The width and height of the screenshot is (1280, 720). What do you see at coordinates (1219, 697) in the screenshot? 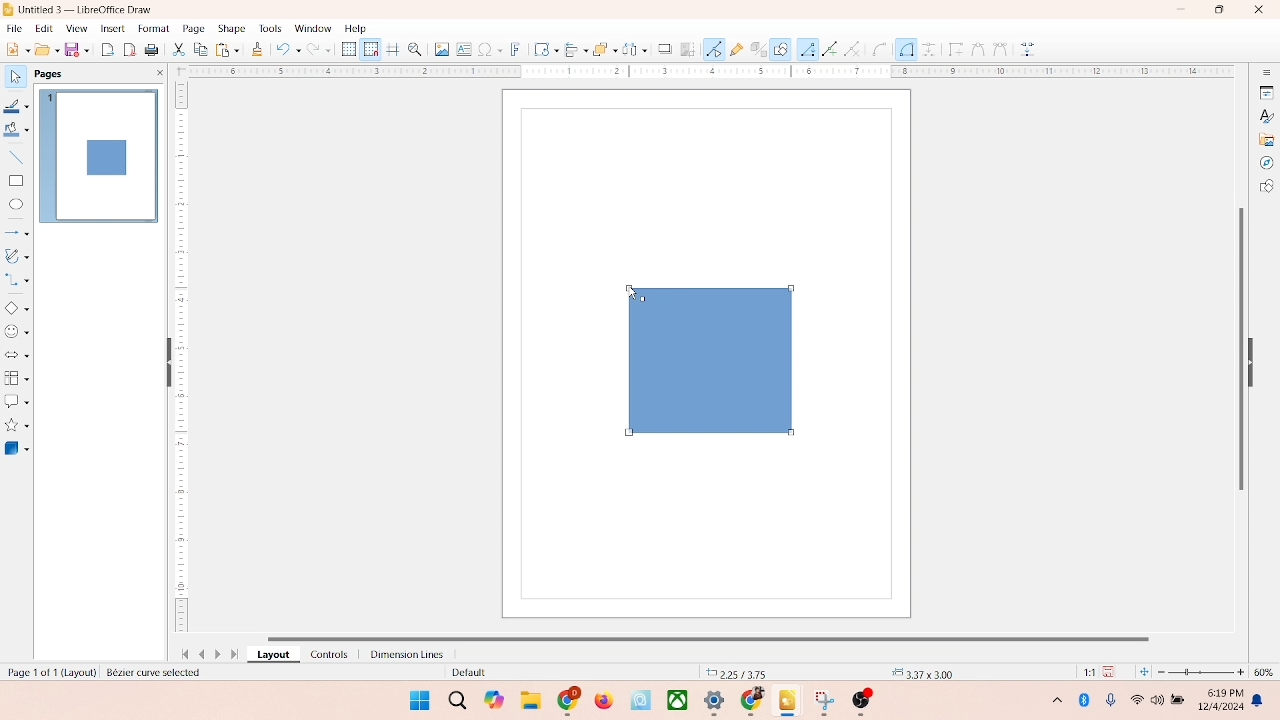
I see `time and date` at bounding box center [1219, 697].